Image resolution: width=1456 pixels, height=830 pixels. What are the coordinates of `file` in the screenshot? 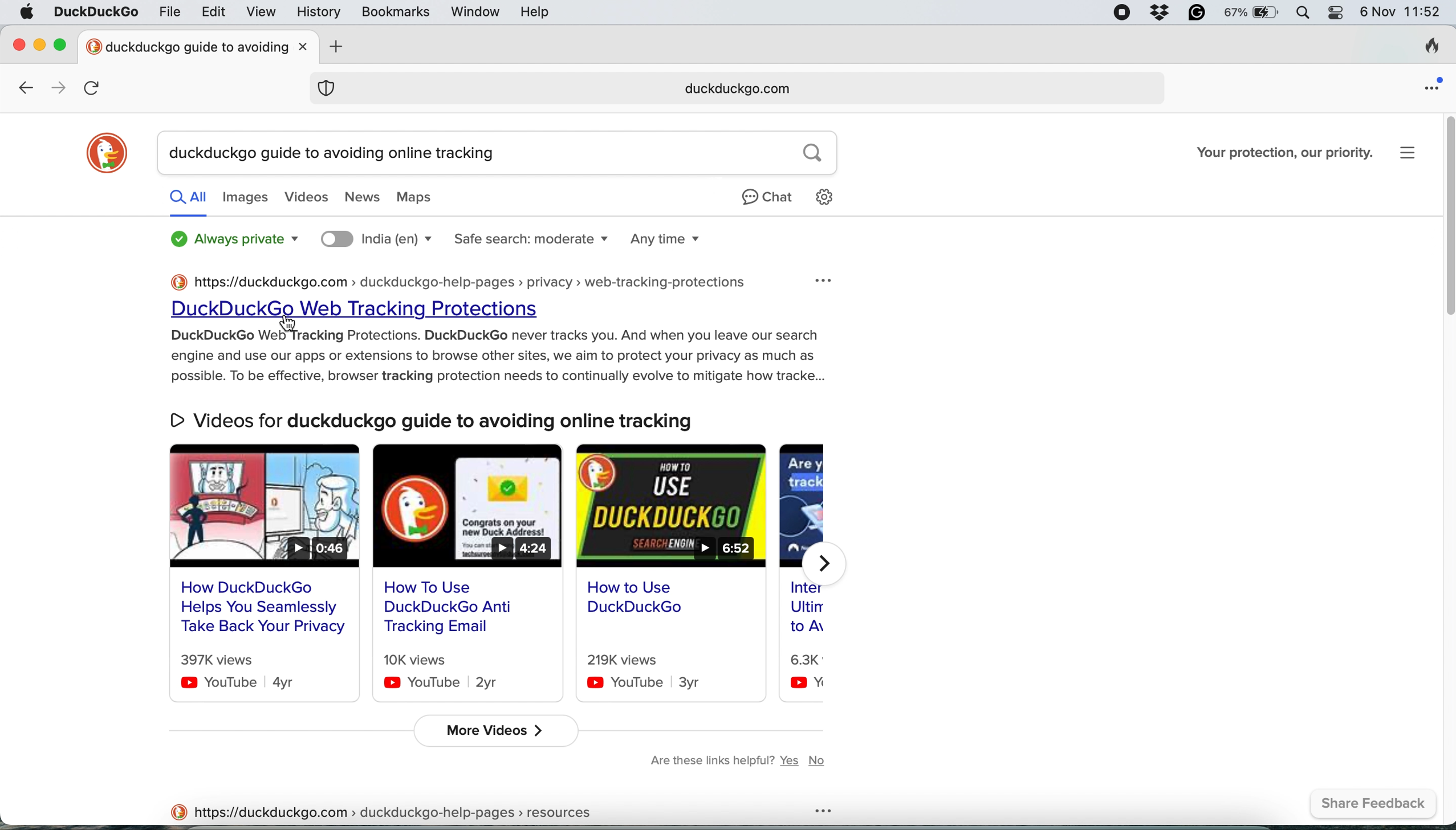 It's located at (167, 13).